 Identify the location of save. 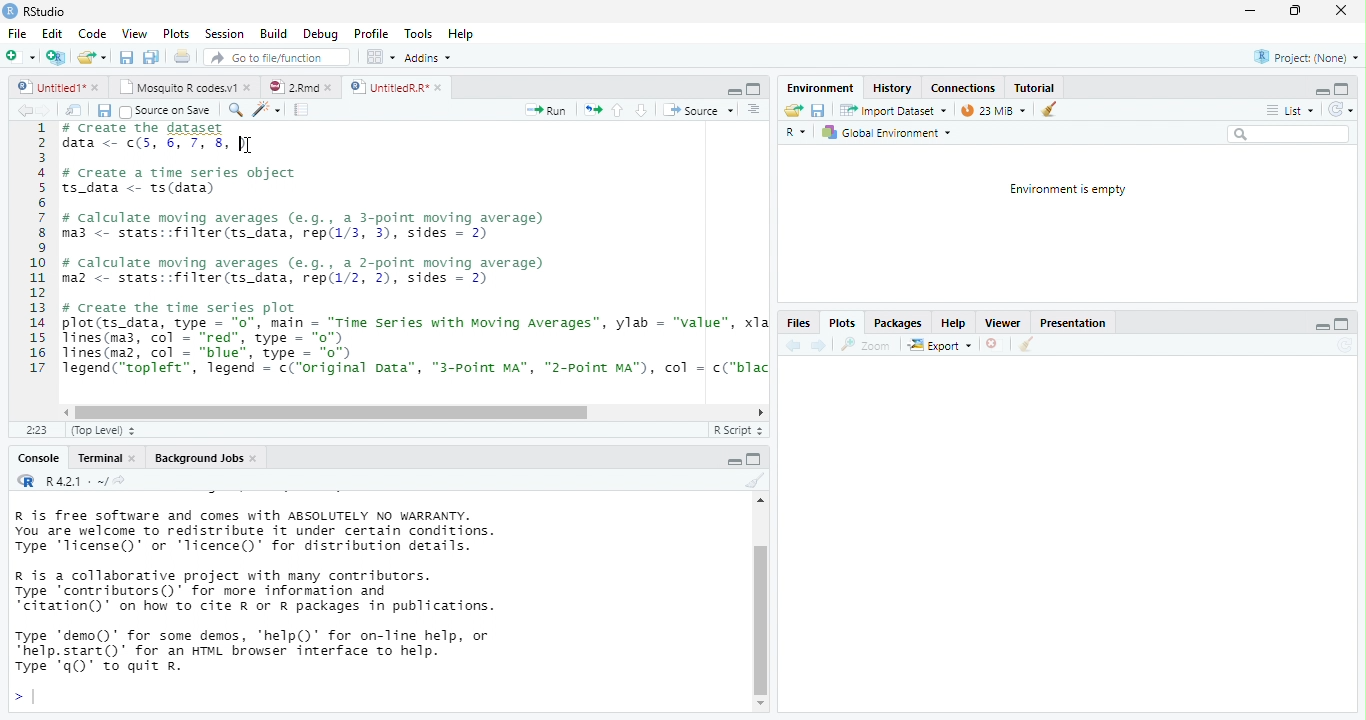
(103, 111).